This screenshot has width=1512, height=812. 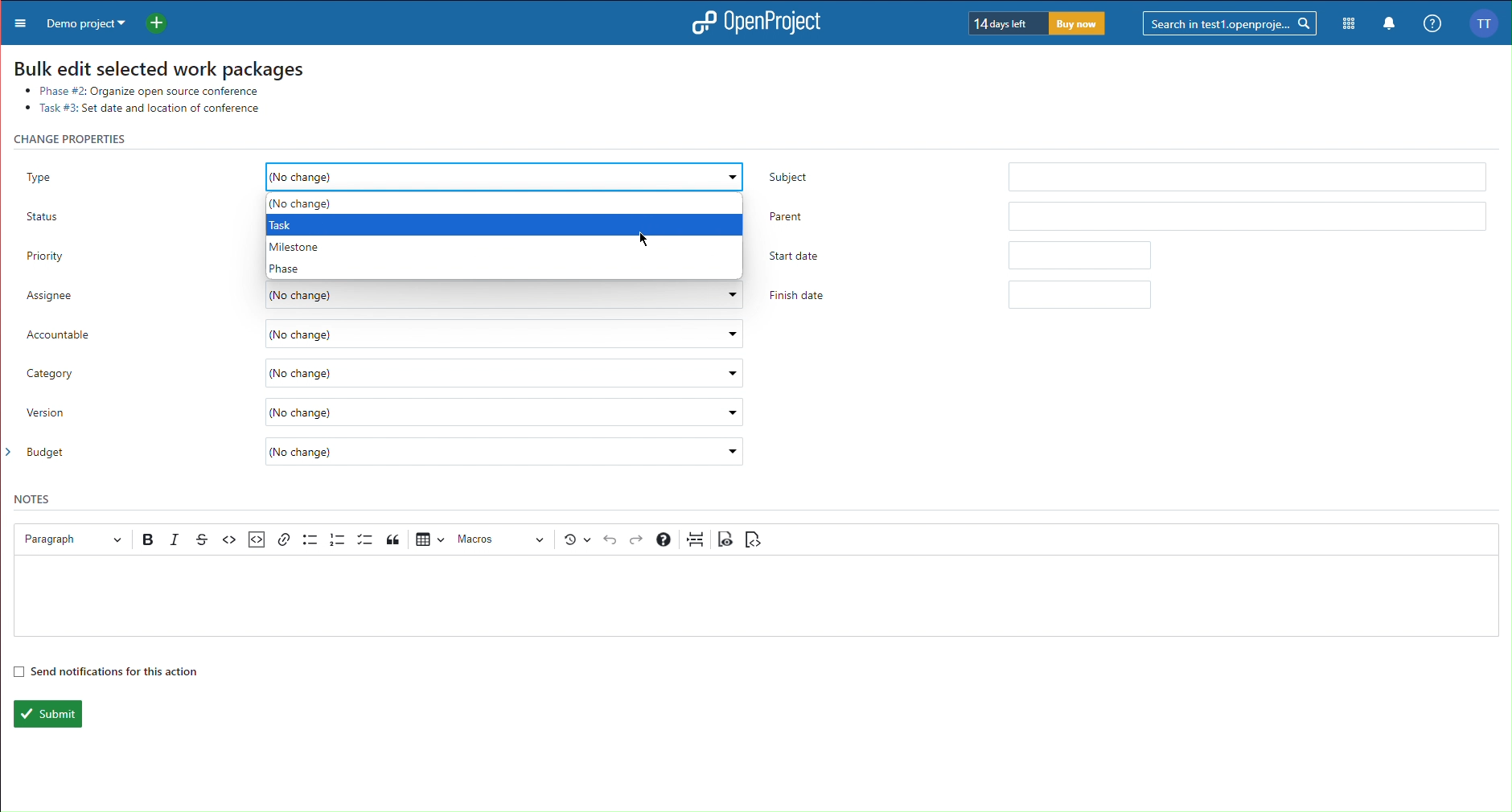 What do you see at coordinates (664, 539) in the screenshot?
I see `Help` at bounding box center [664, 539].